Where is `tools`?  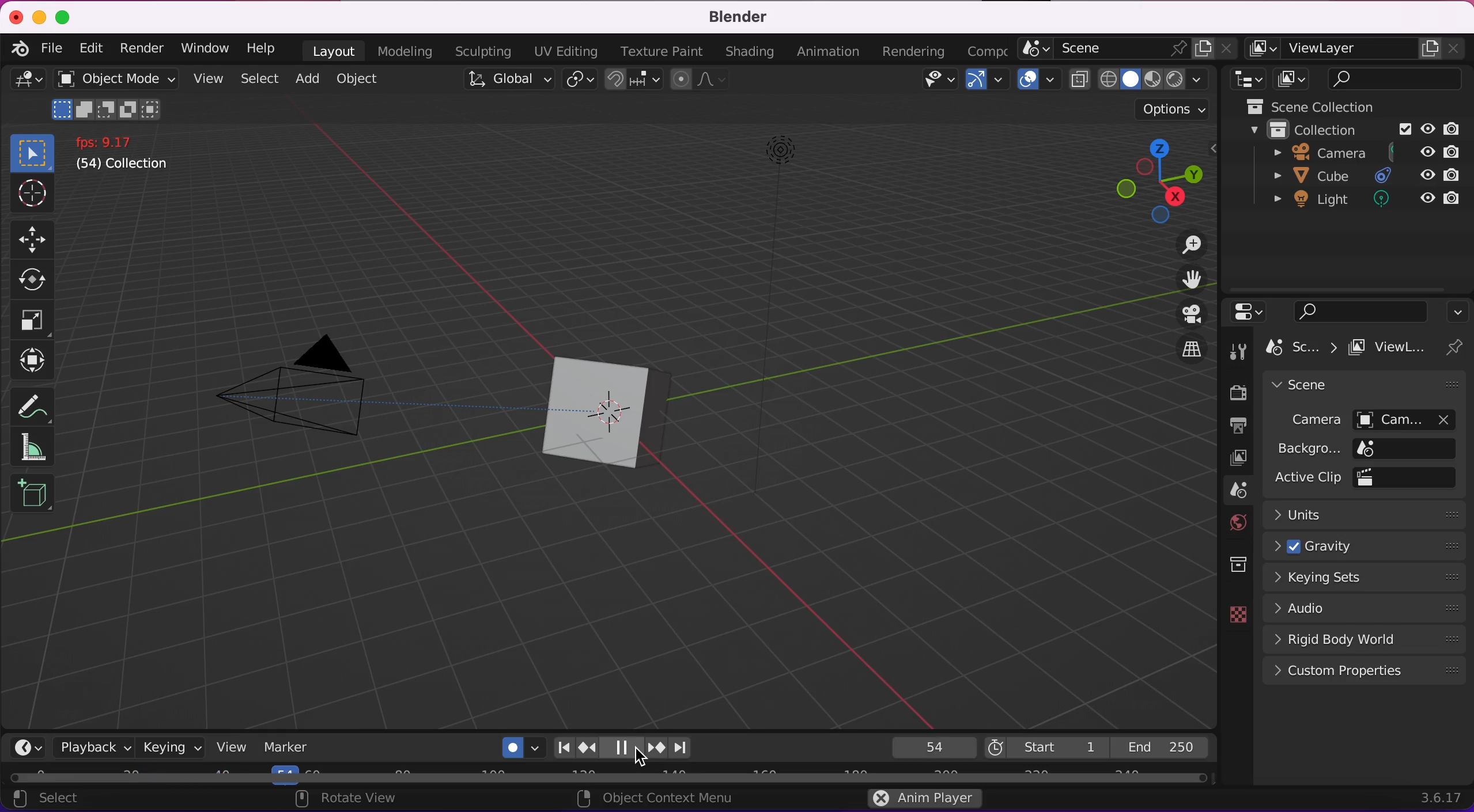 tools is located at coordinates (1237, 351).